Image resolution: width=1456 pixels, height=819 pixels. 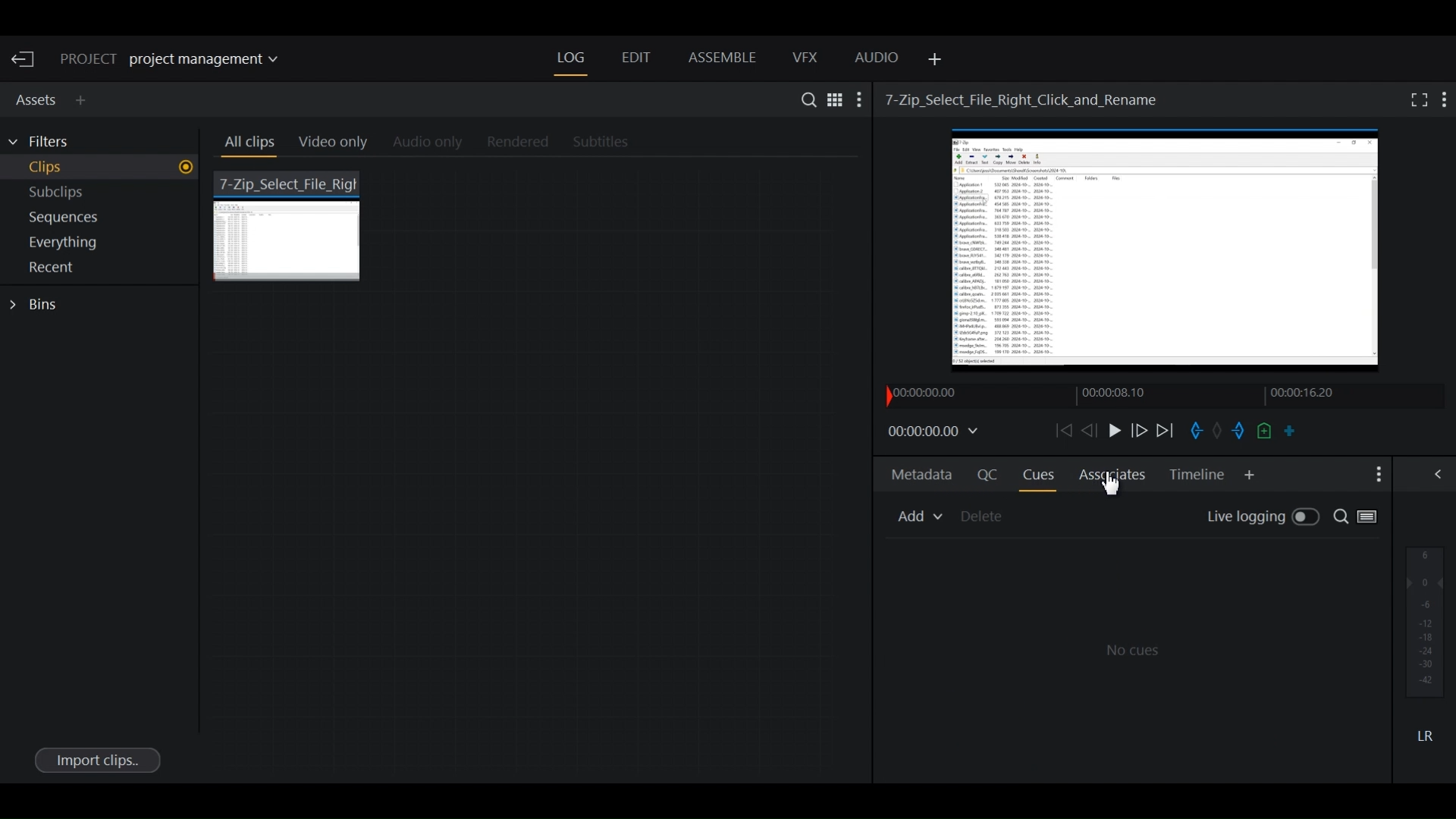 I want to click on Bins, so click(x=38, y=305).